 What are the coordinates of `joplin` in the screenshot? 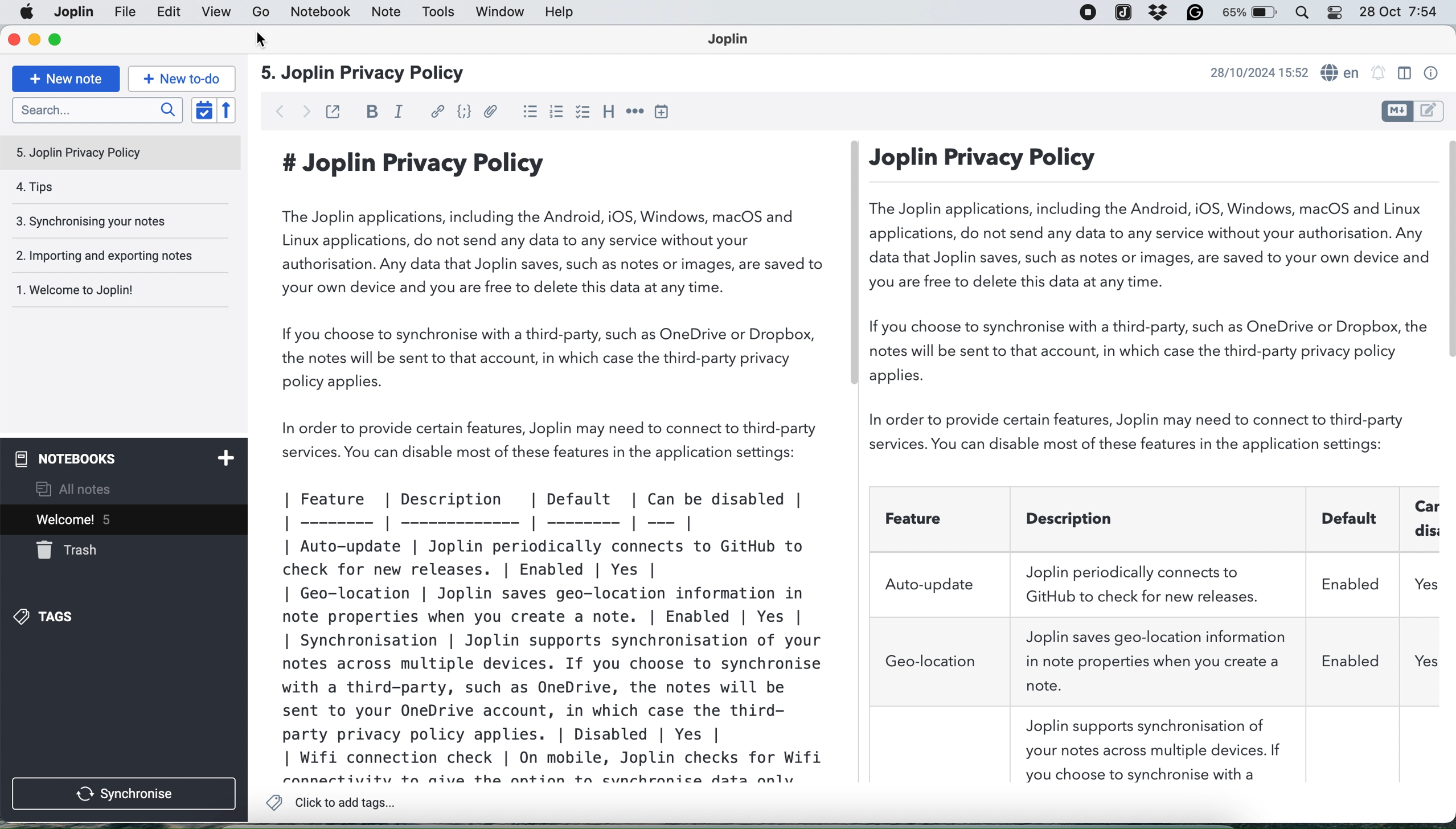 It's located at (1123, 12).